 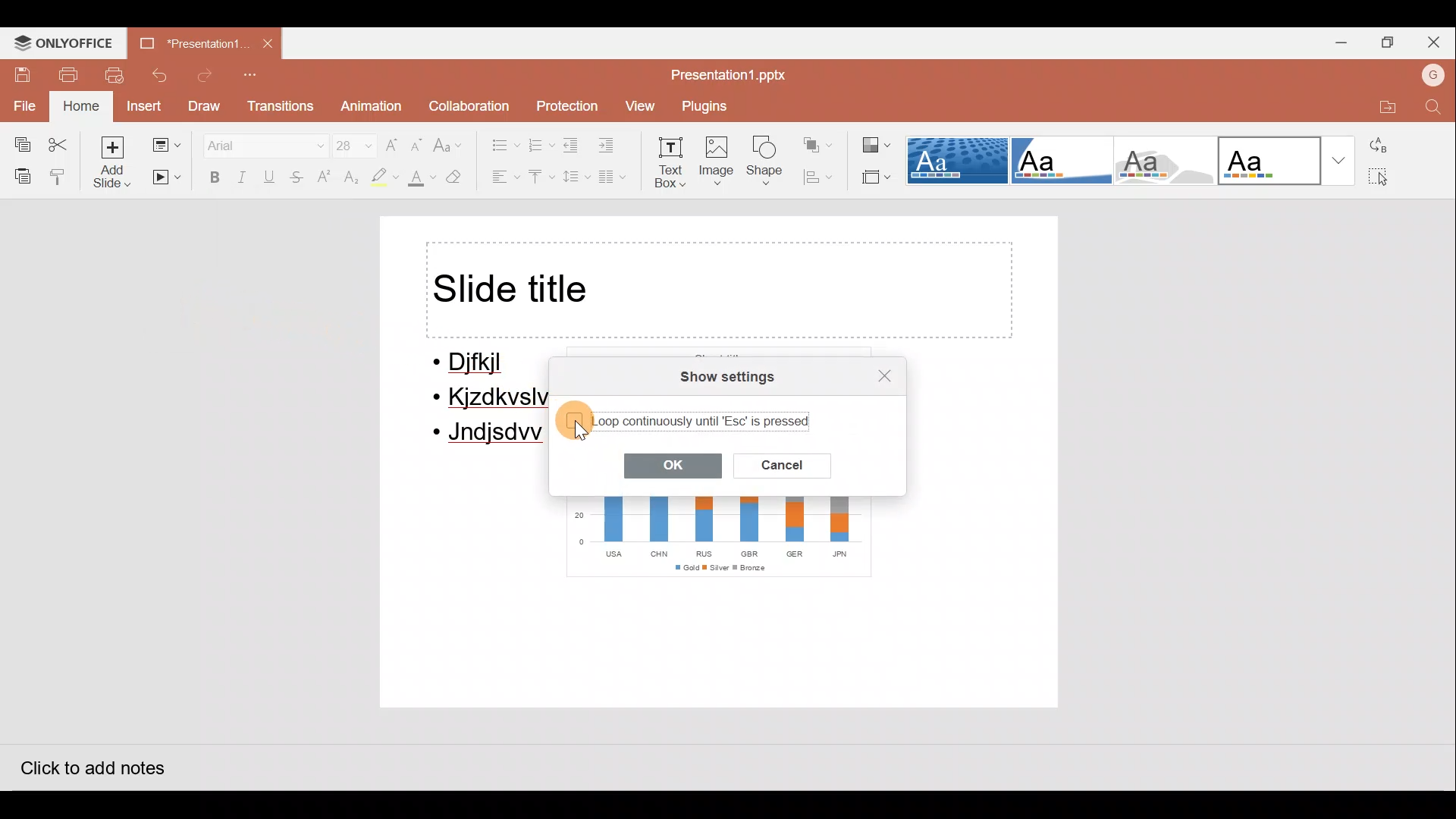 I want to click on Print preview, so click(x=106, y=76).